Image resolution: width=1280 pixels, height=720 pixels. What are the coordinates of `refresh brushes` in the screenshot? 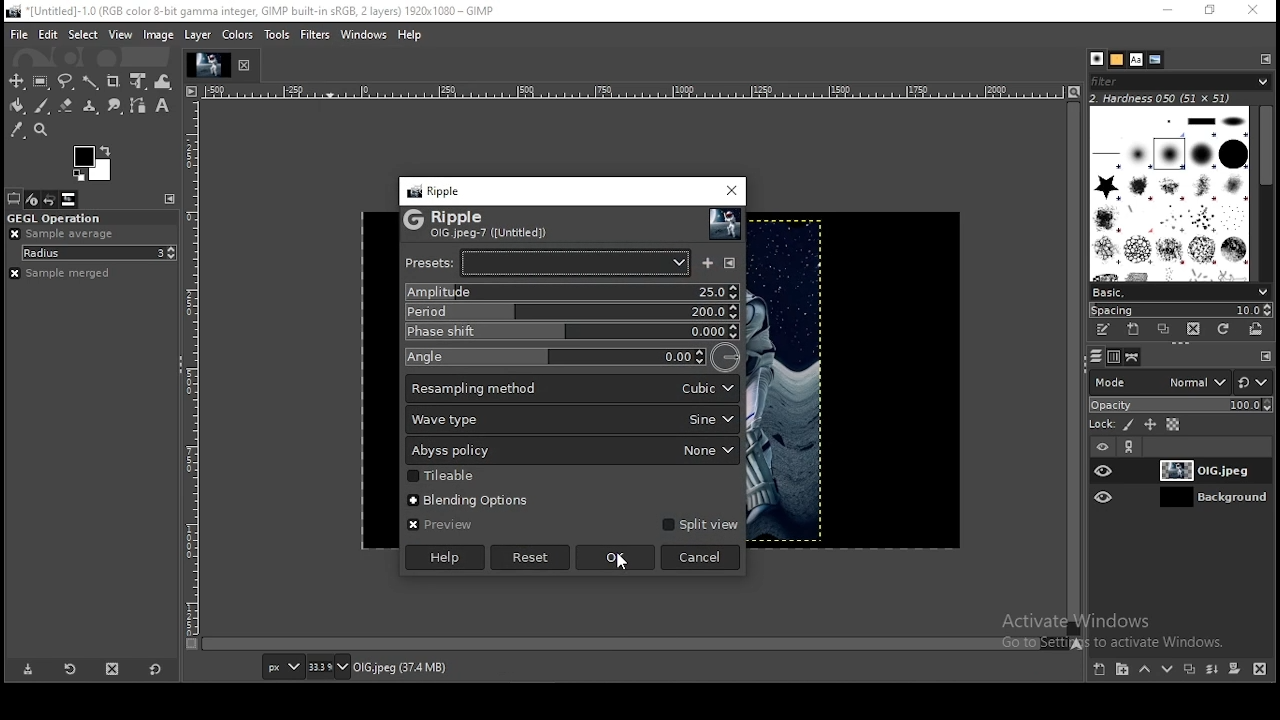 It's located at (1223, 328).